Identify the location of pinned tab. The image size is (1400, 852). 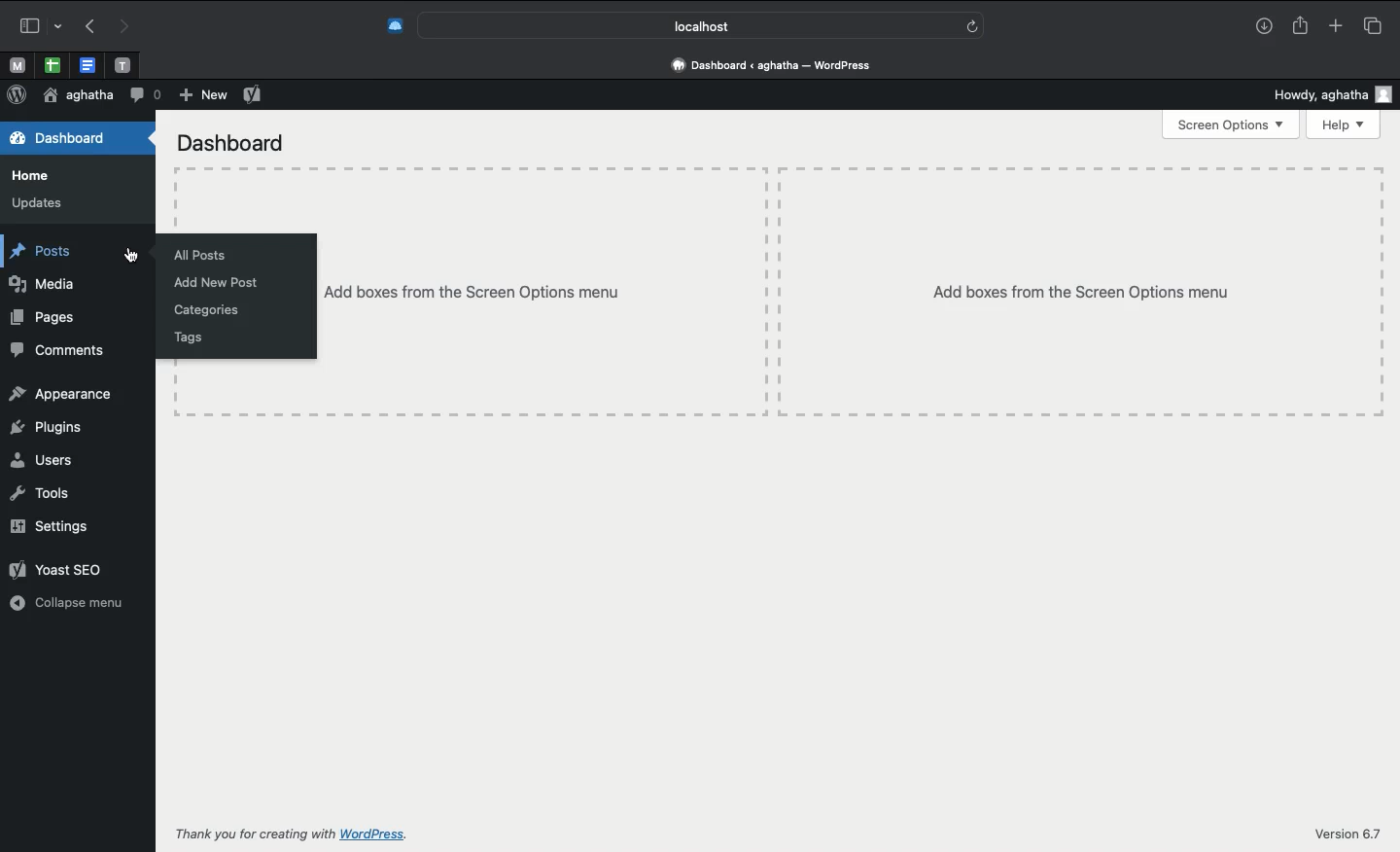
(124, 62).